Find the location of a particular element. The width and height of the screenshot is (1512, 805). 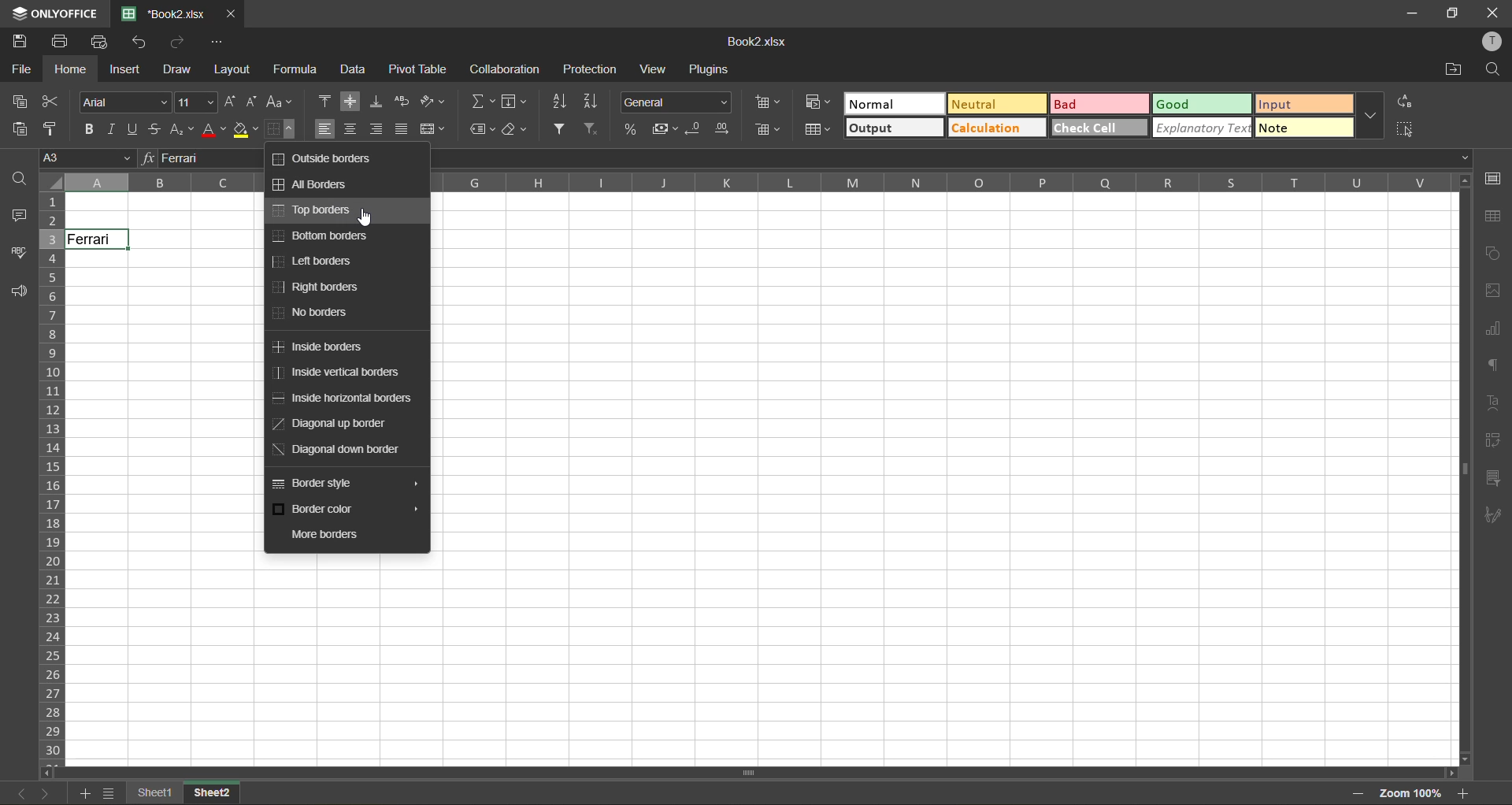

paragraph is located at coordinates (1490, 367).